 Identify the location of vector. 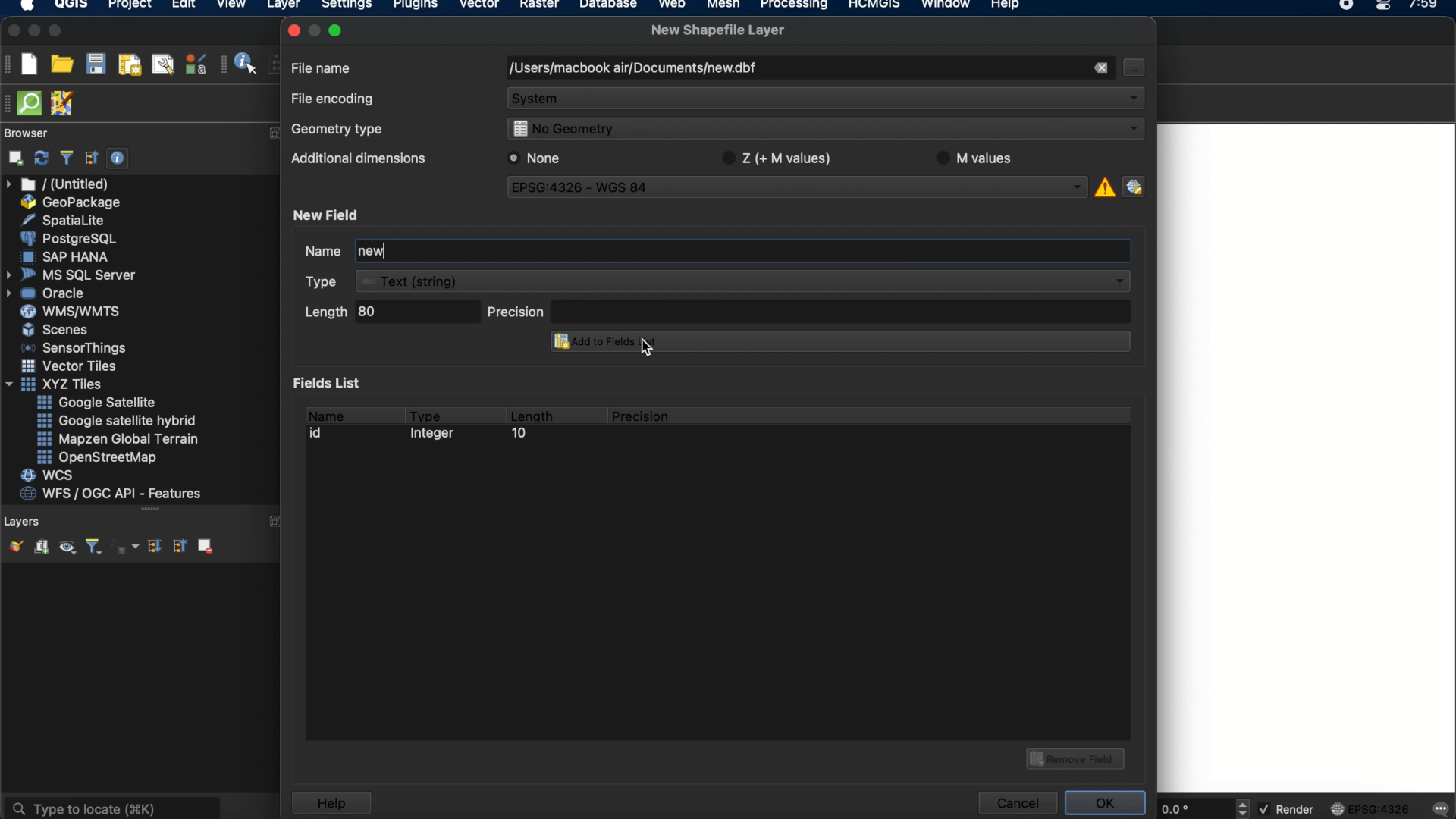
(480, 6).